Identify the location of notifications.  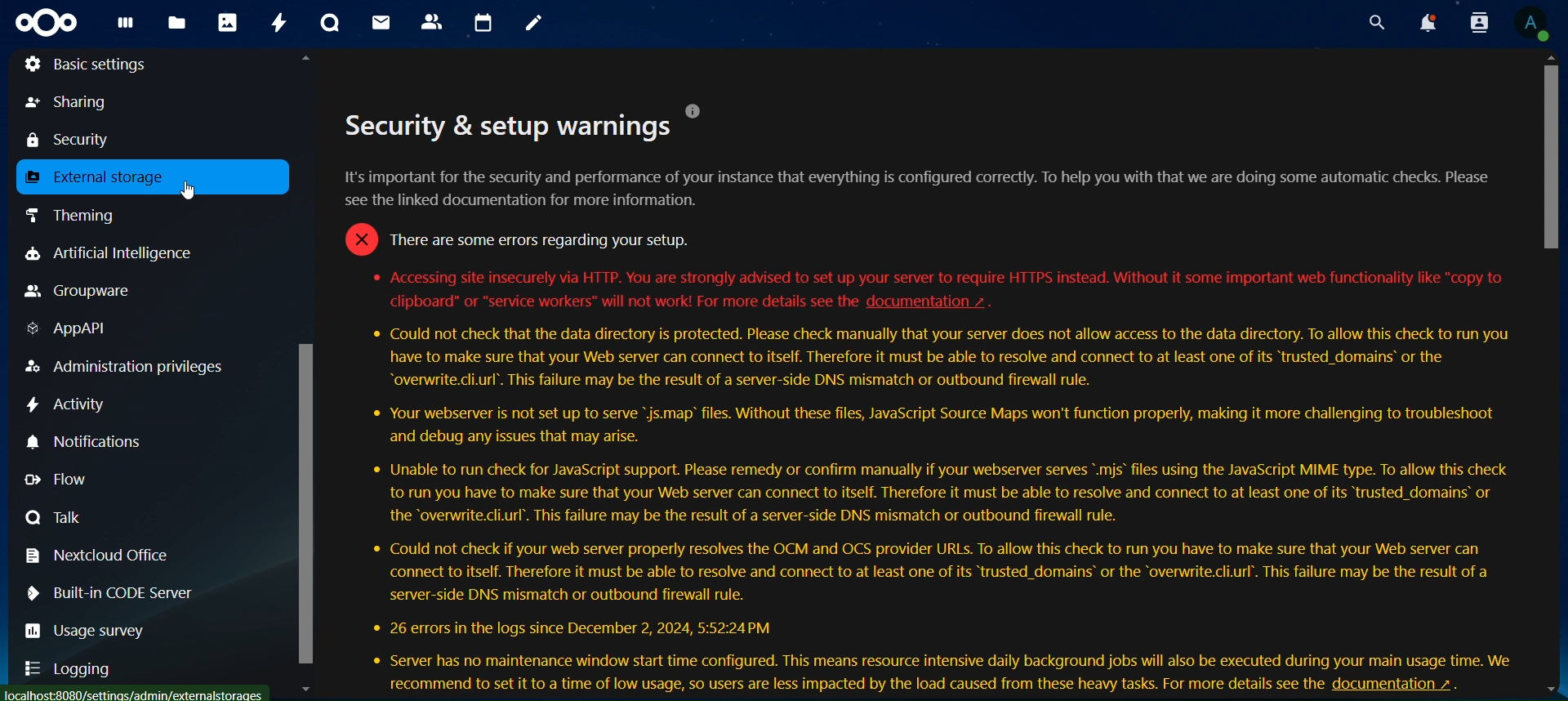
(84, 442).